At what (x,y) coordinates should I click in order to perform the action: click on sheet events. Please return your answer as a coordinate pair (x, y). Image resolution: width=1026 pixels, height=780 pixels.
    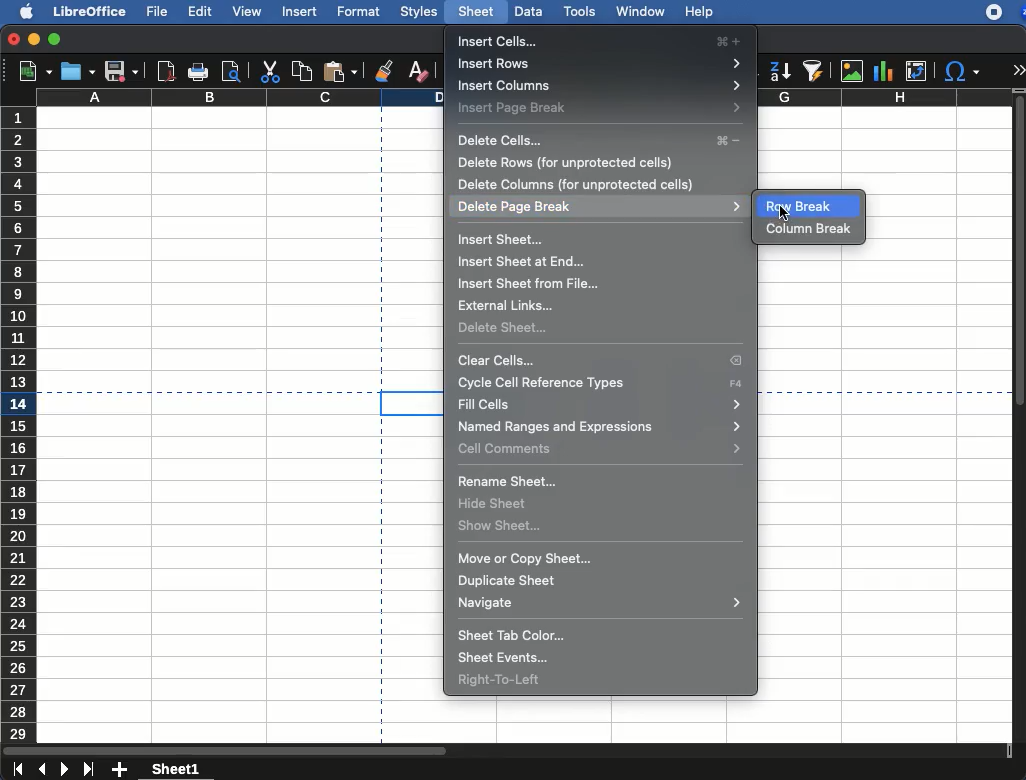
    Looking at the image, I should click on (507, 659).